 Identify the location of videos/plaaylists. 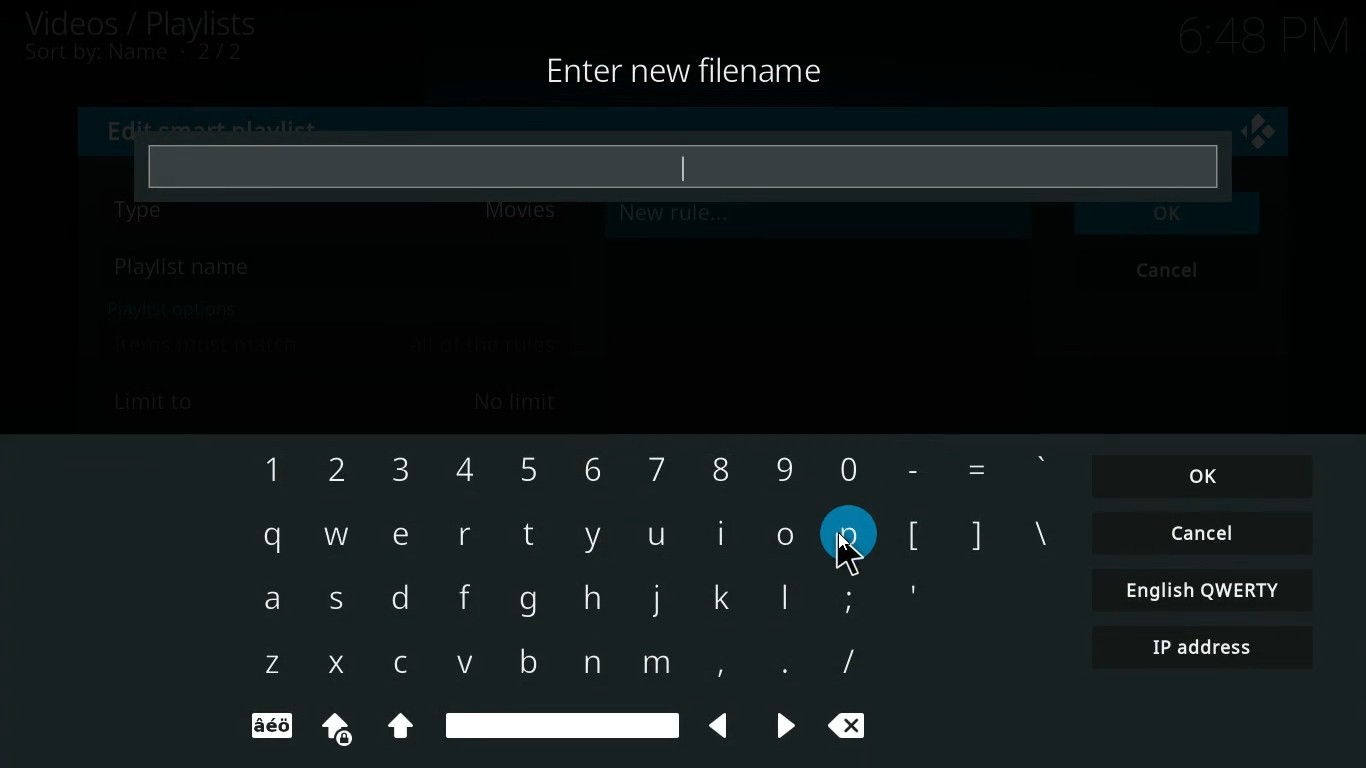
(143, 24).